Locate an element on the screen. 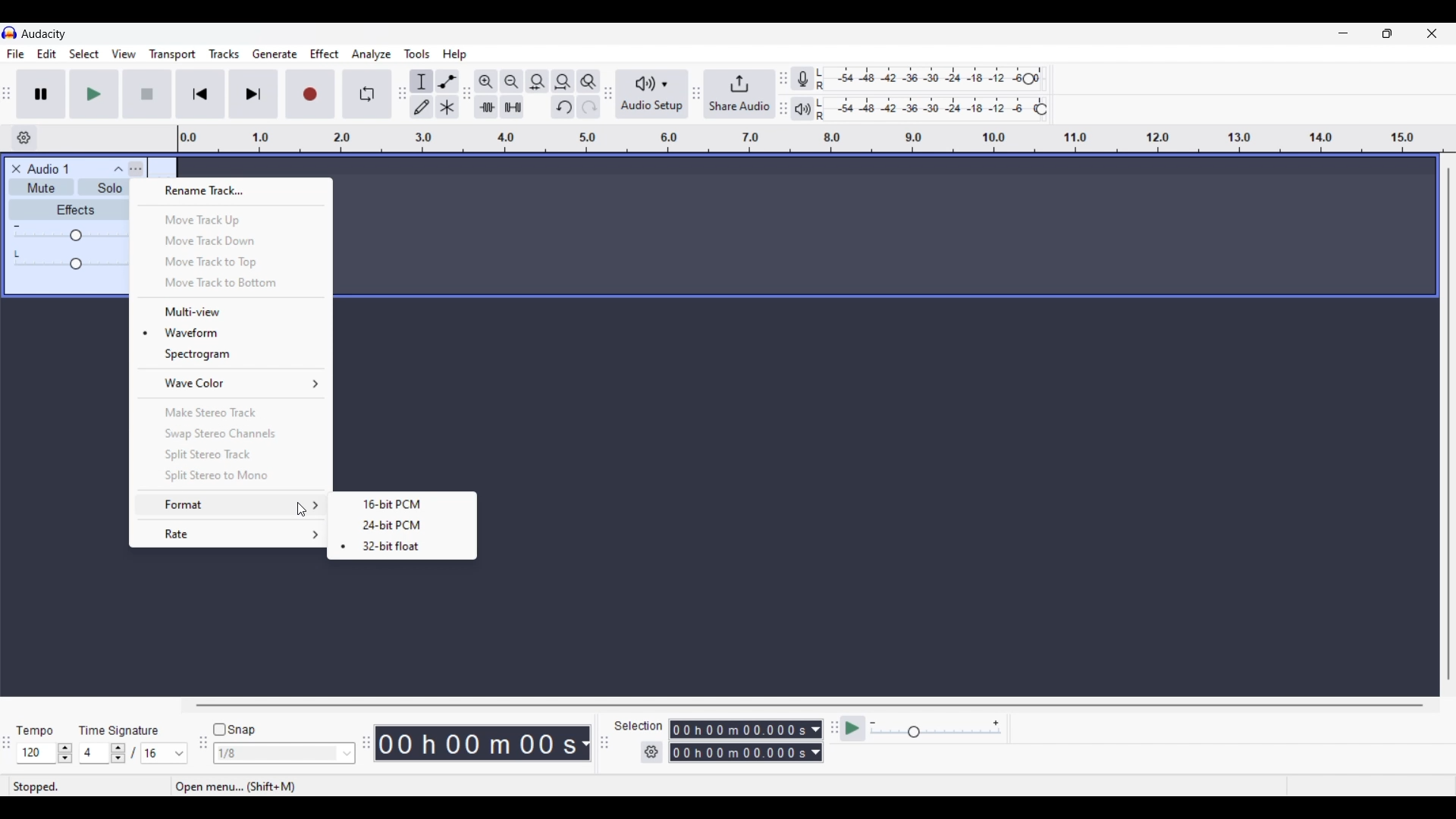 Image resolution: width=1456 pixels, height=819 pixels. More options is located at coordinates (136, 168).